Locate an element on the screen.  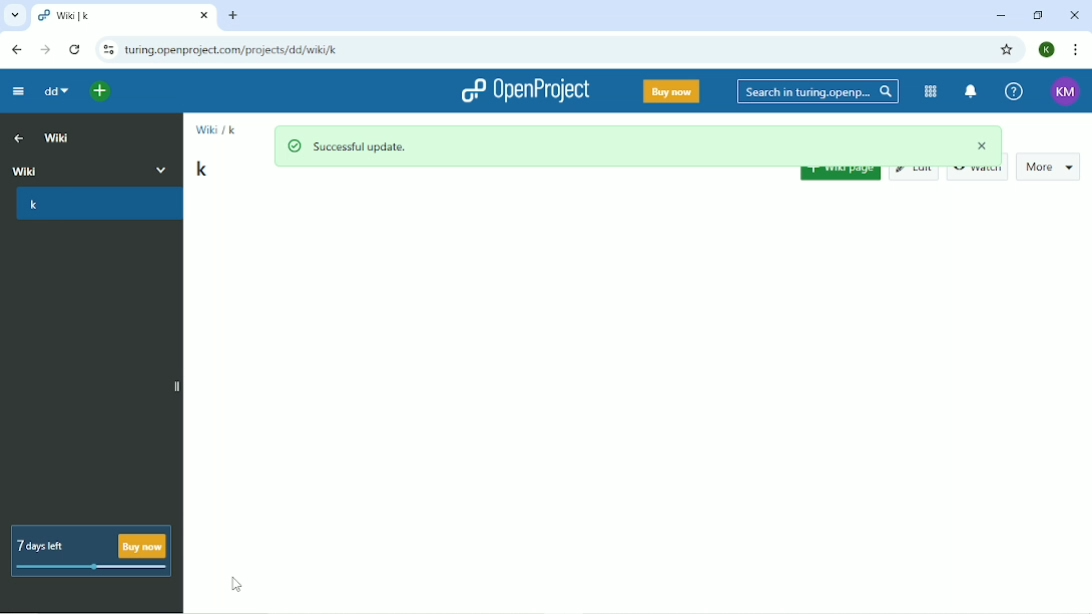
7 days left  is located at coordinates (95, 550).